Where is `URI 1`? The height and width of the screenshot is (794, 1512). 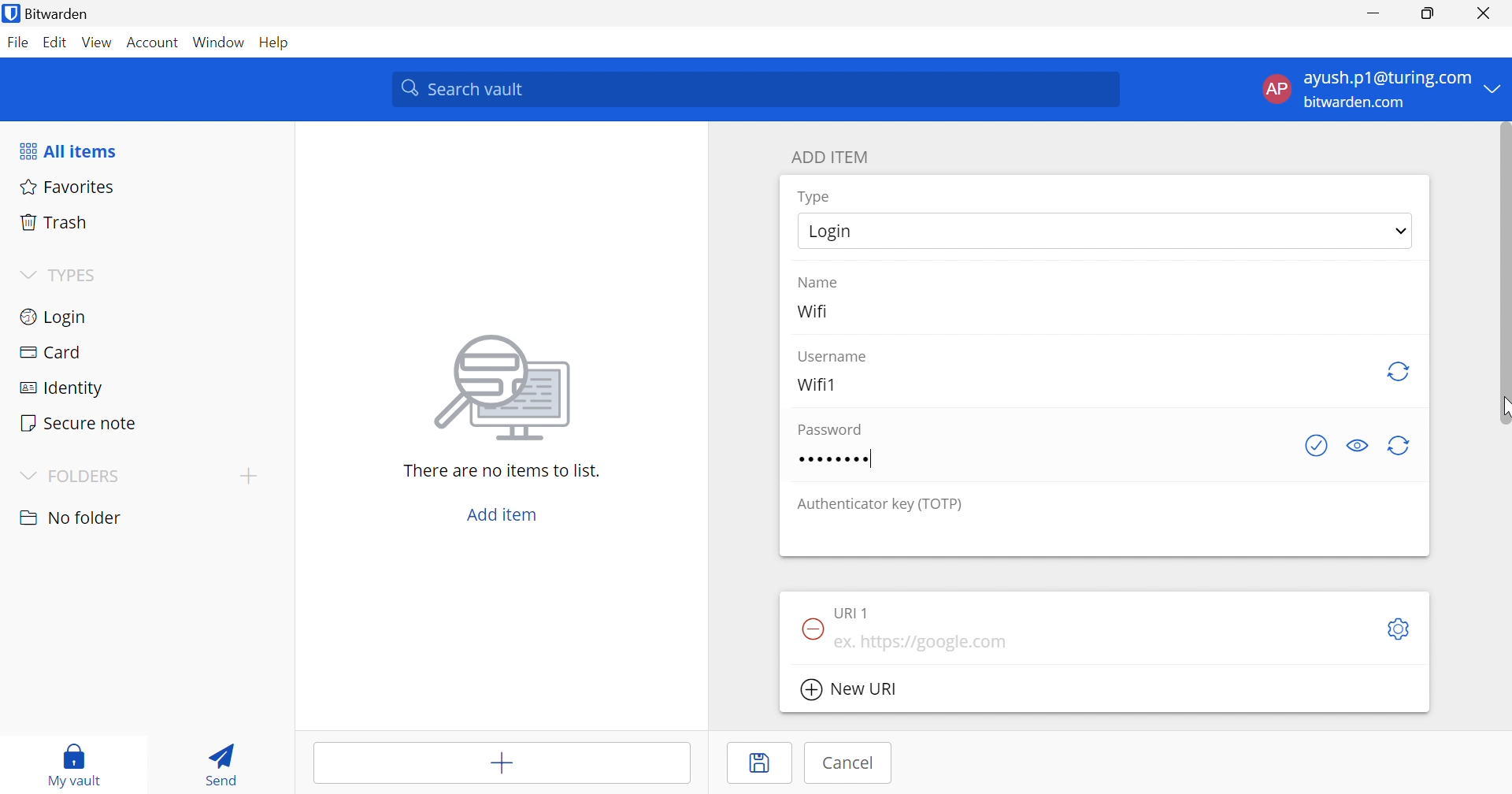
URI 1 is located at coordinates (854, 611).